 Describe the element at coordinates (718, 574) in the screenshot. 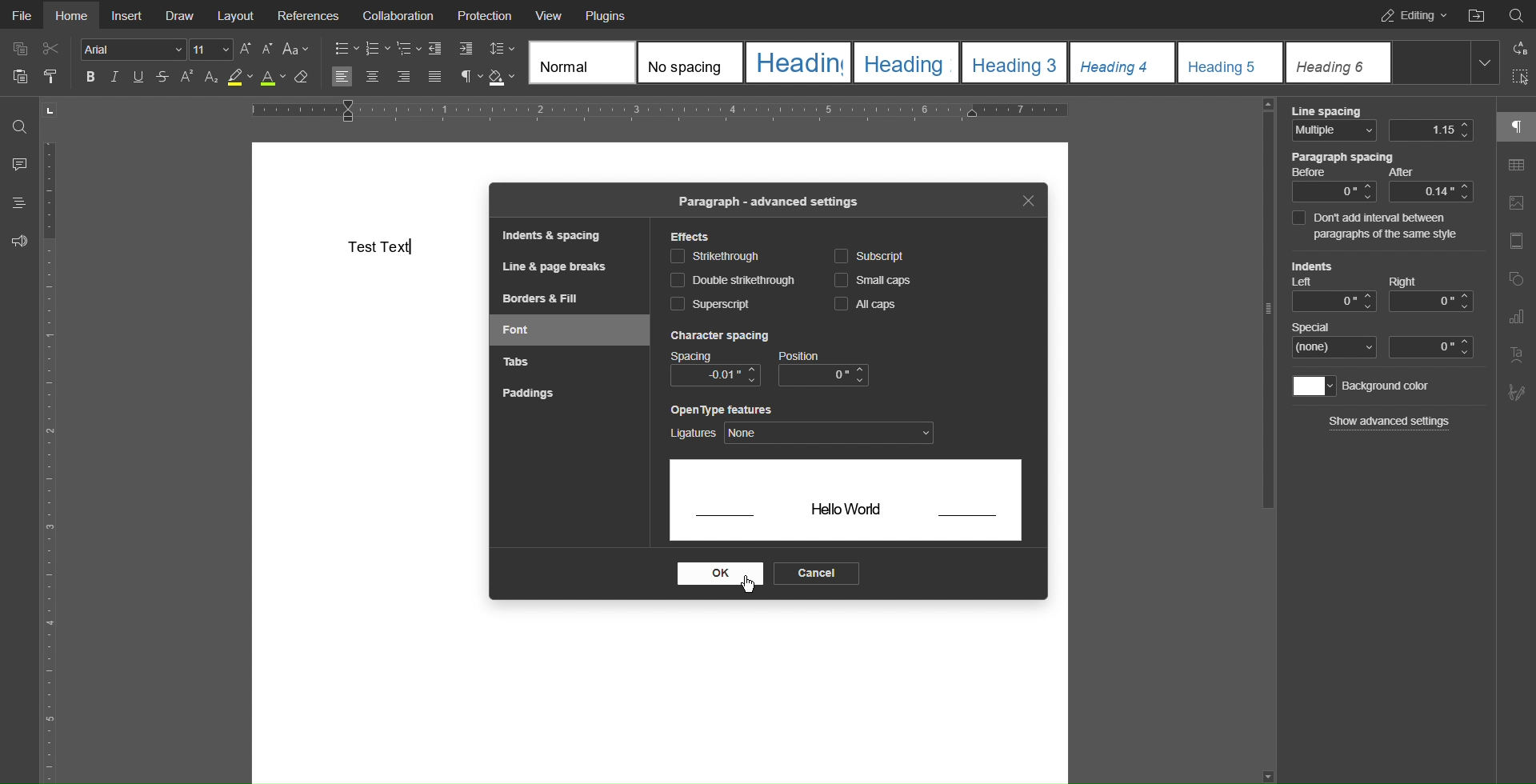

I see `OK` at that location.